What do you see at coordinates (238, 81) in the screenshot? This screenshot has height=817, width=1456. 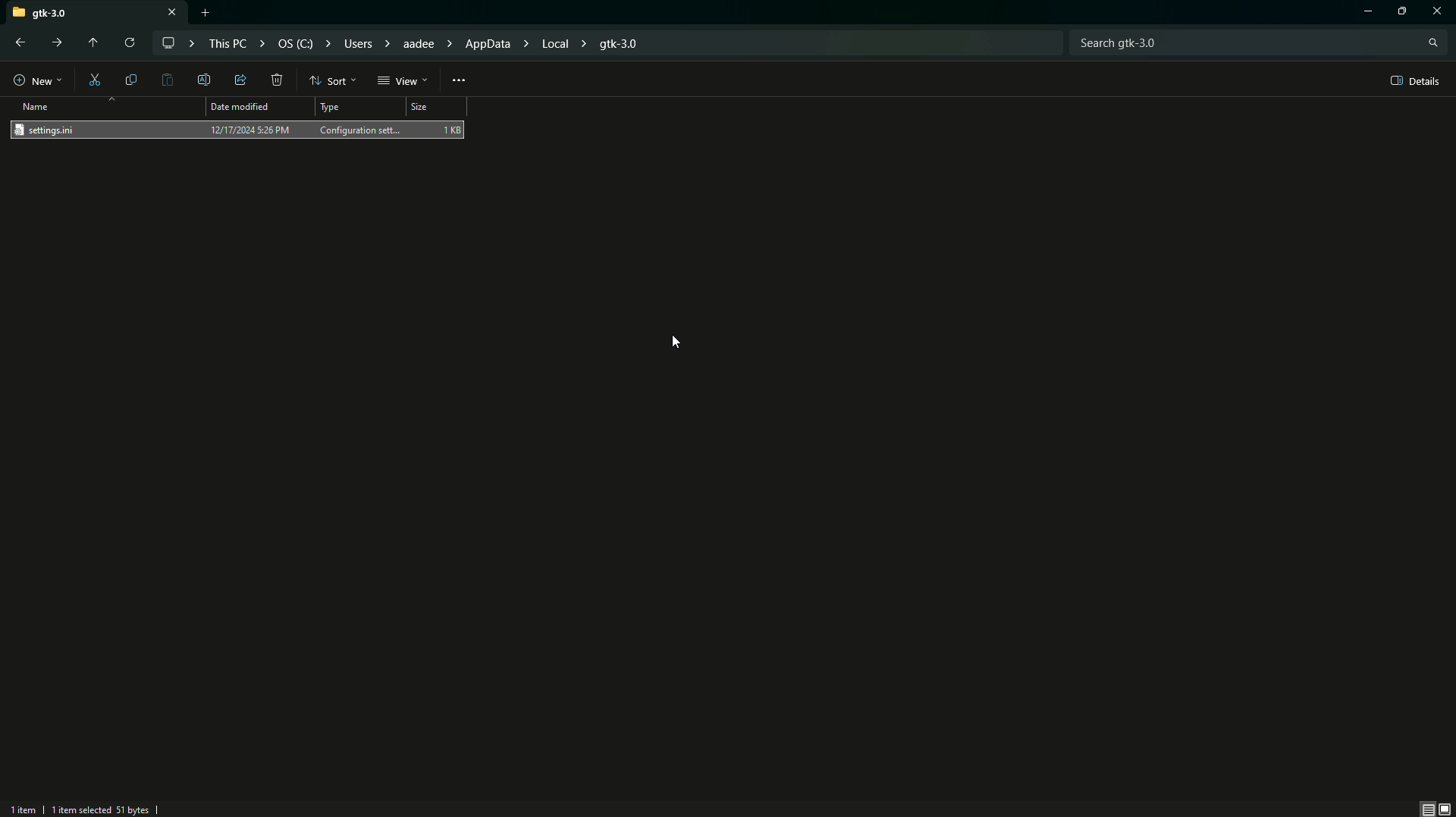 I see `Share` at bounding box center [238, 81].